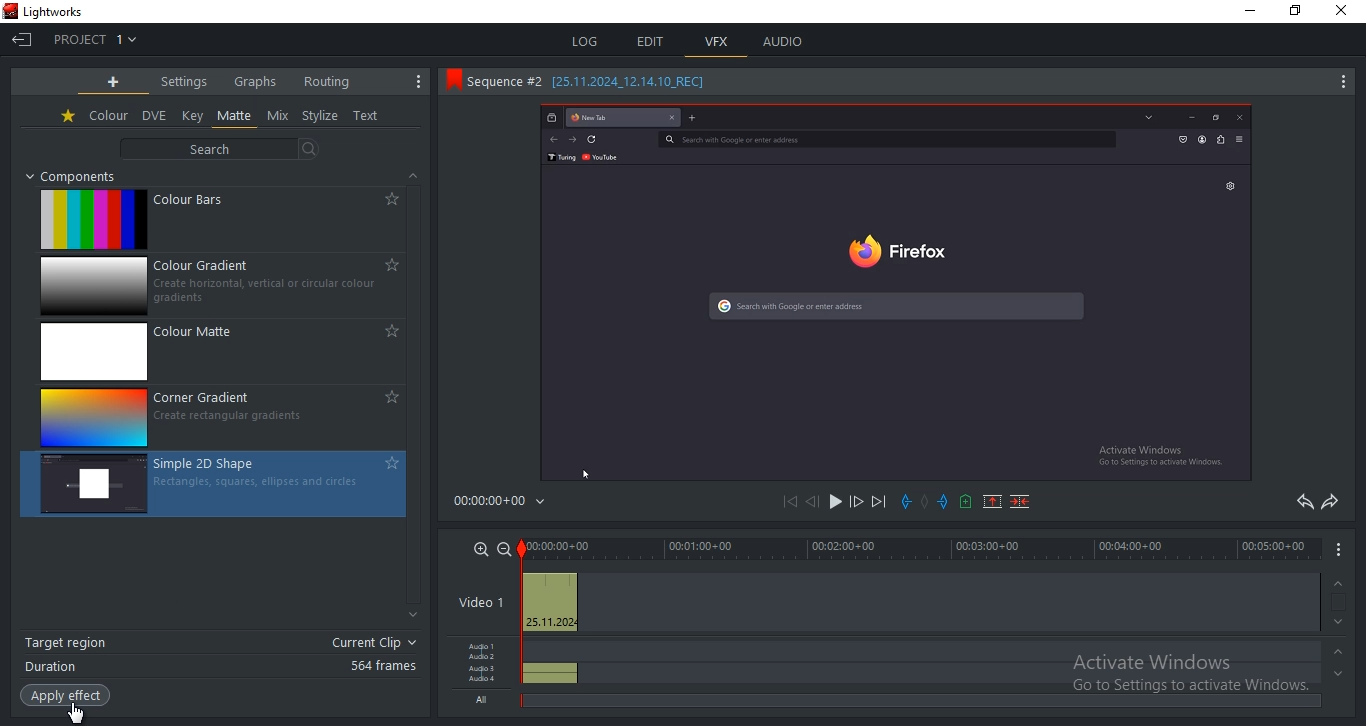  What do you see at coordinates (1295, 13) in the screenshot?
I see `maximize` at bounding box center [1295, 13].